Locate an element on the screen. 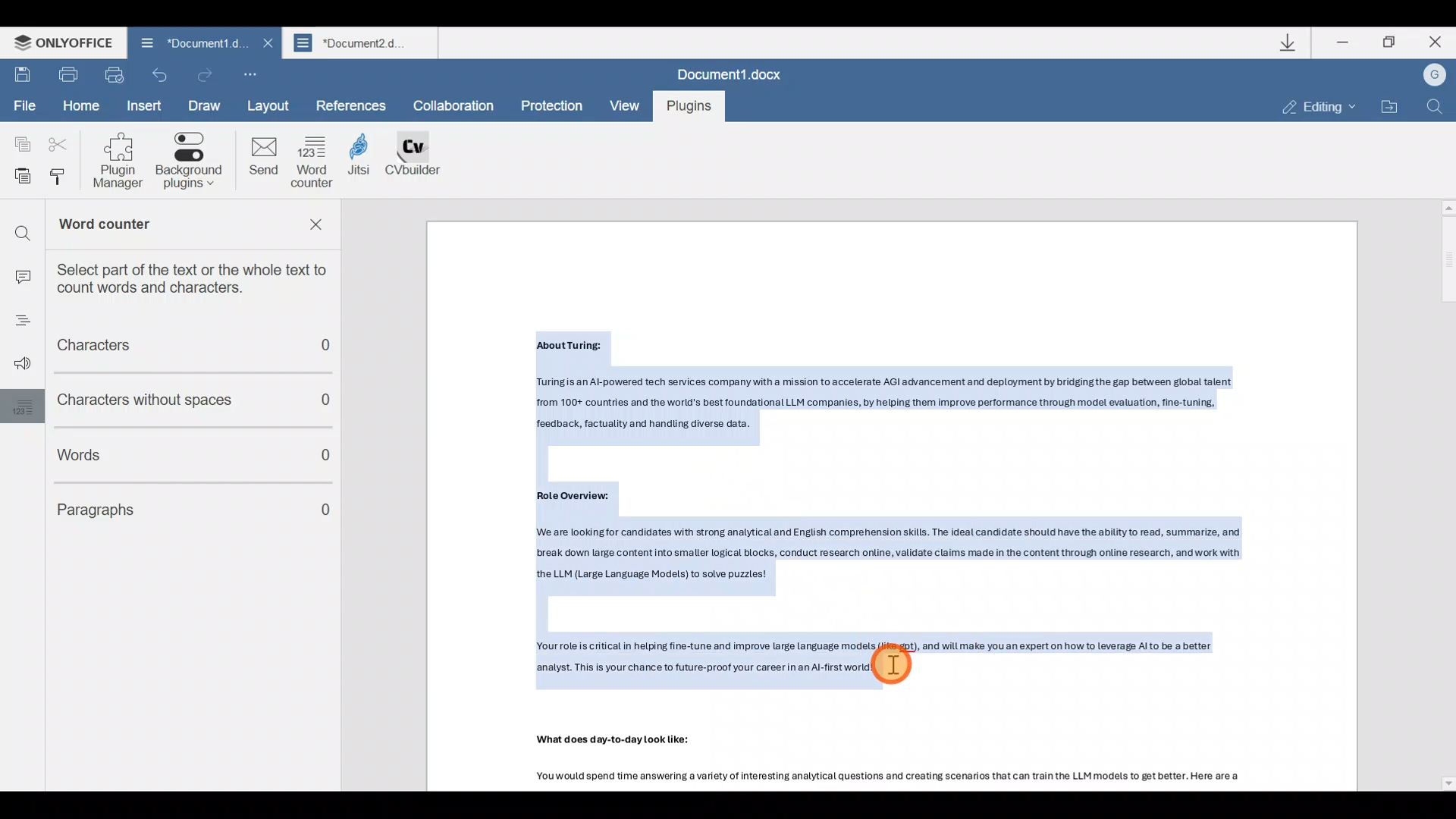 This screenshot has width=1456, height=819. Collaboration is located at coordinates (459, 106).